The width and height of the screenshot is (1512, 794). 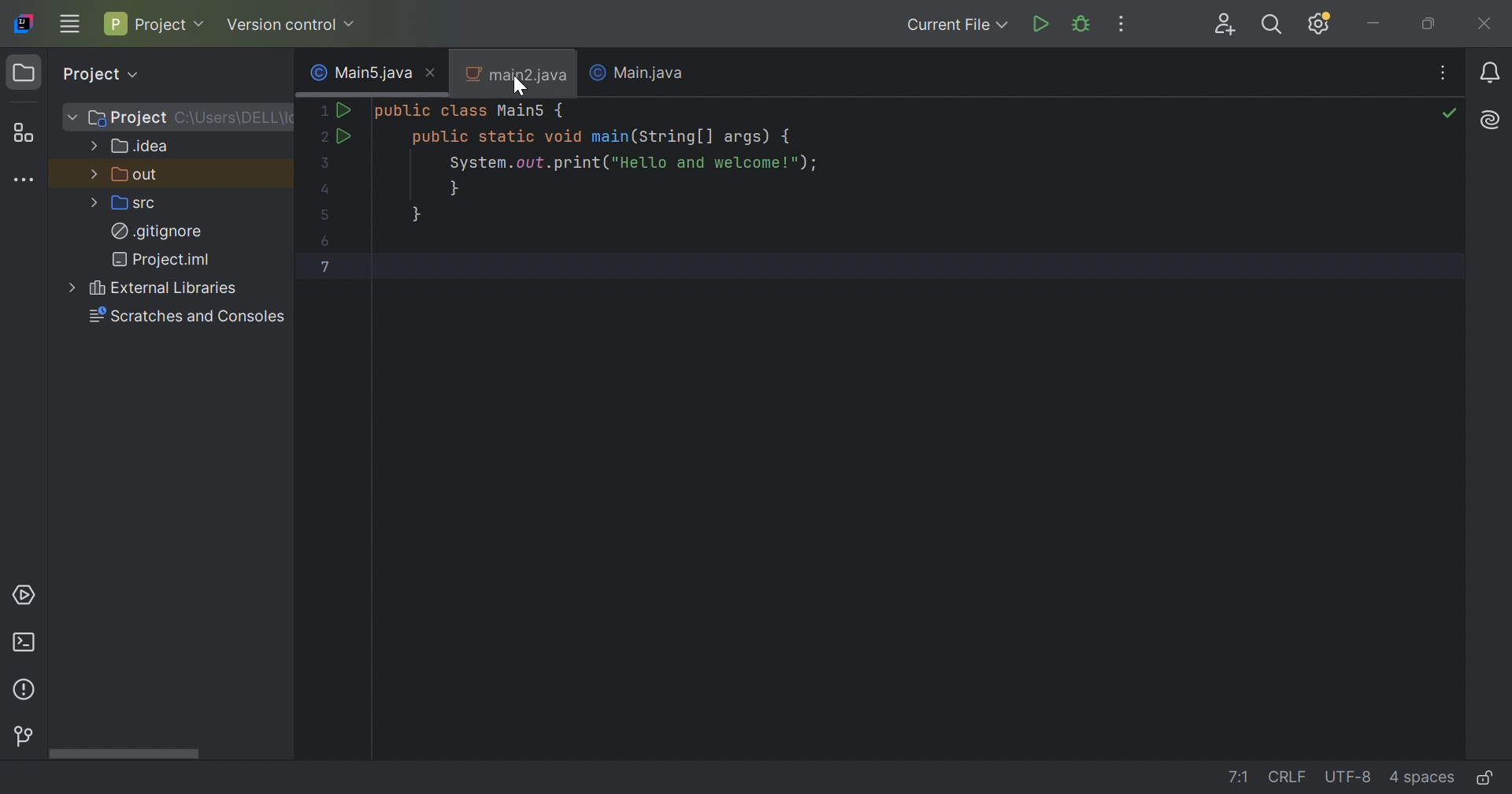 What do you see at coordinates (142, 147) in the screenshot?
I see `.idea` at bounding box center [142, 147].